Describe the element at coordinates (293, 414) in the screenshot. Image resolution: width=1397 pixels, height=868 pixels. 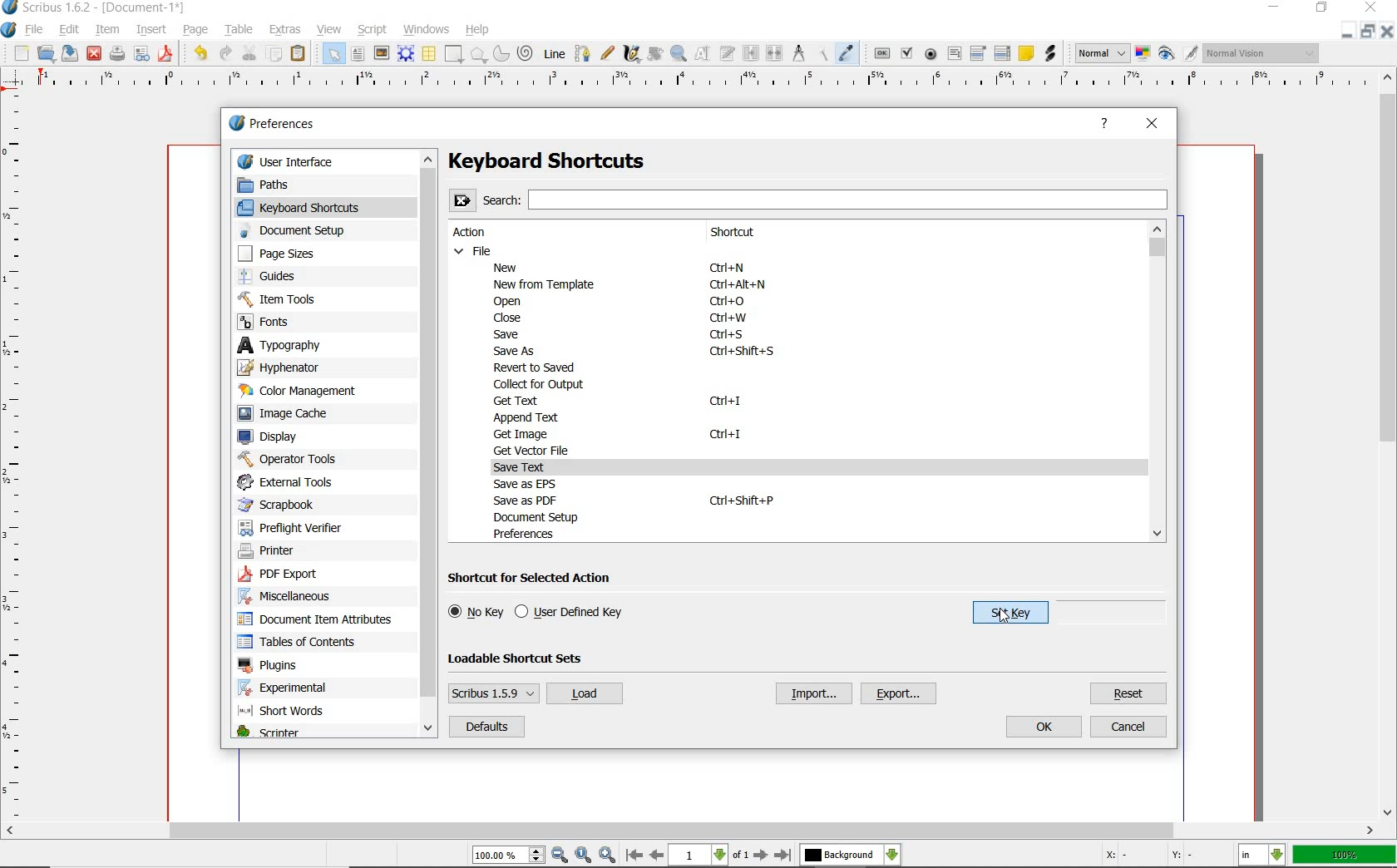
I see `image cache` at that location.